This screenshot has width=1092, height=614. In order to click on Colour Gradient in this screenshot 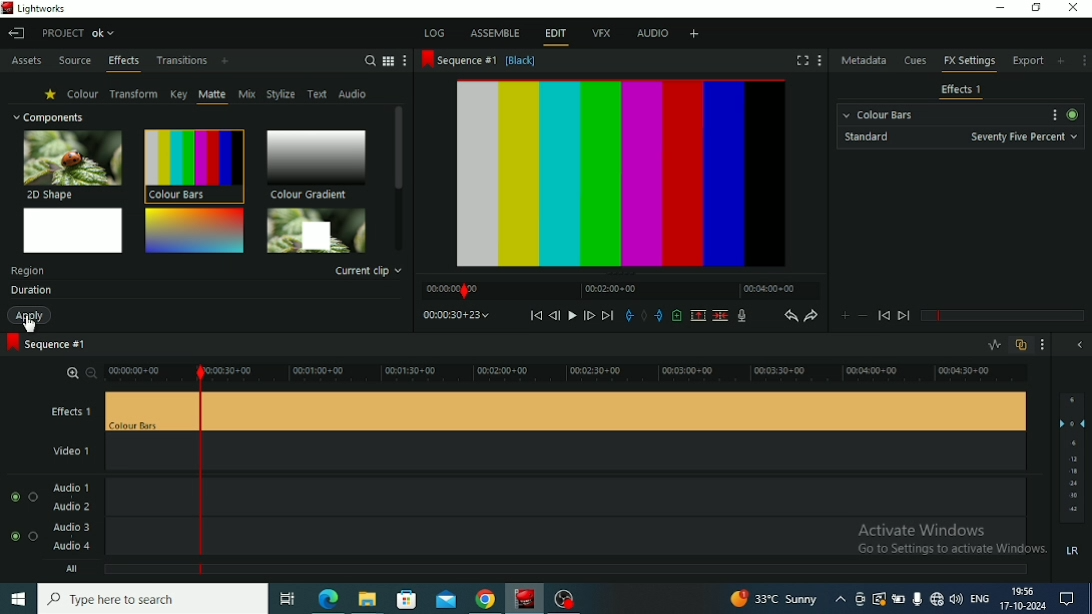, I will do `click(316, 164)`.